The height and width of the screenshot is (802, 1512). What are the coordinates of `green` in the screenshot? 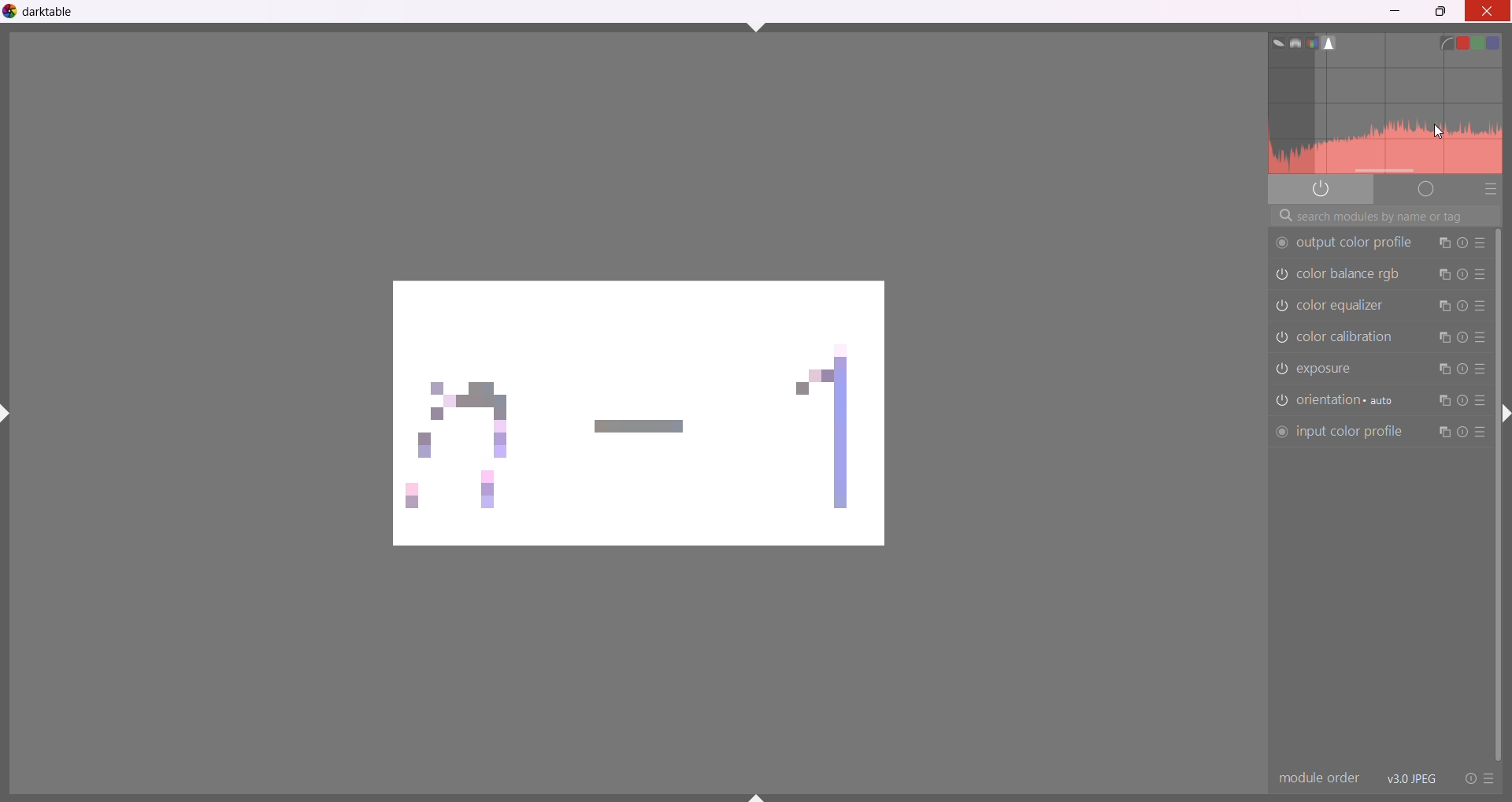 It's located at (1484, 43).